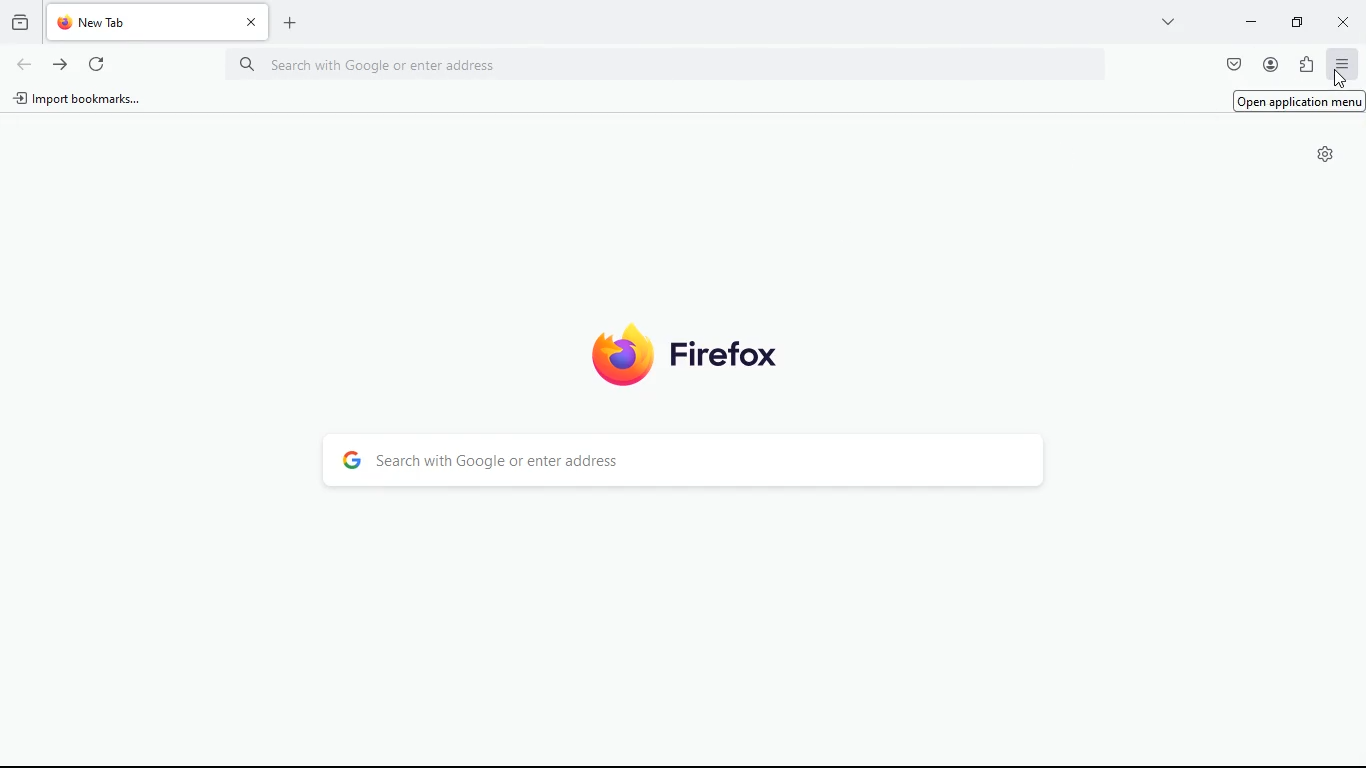 The height and width of the screenshot is (768, 1366). What do you see at coordinates (289, 23) in the screenshot?
I see `Add Tab` at bounding box center [289, 23].